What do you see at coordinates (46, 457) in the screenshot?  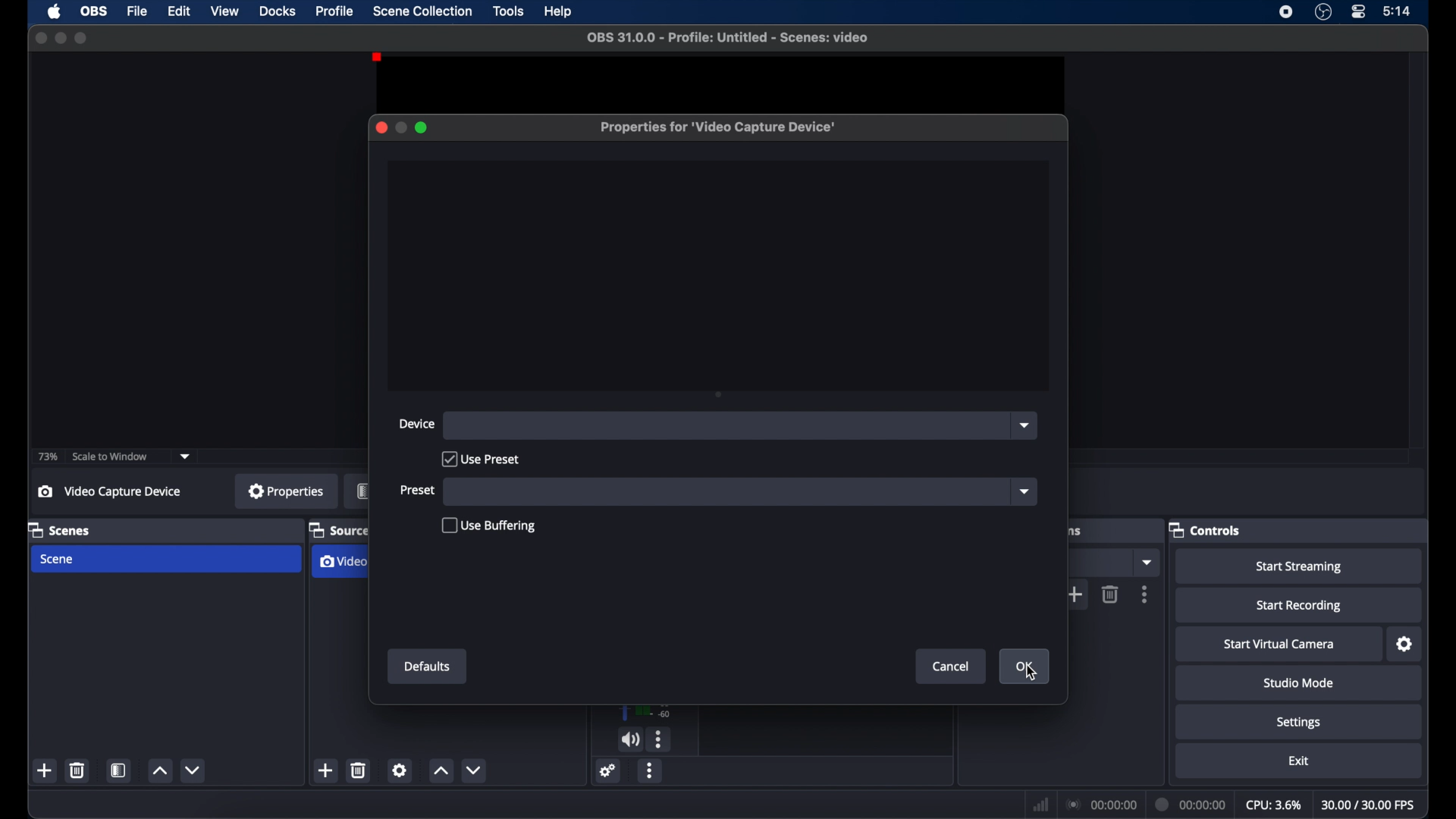 I see `73%` at bounding box center [46, 457].